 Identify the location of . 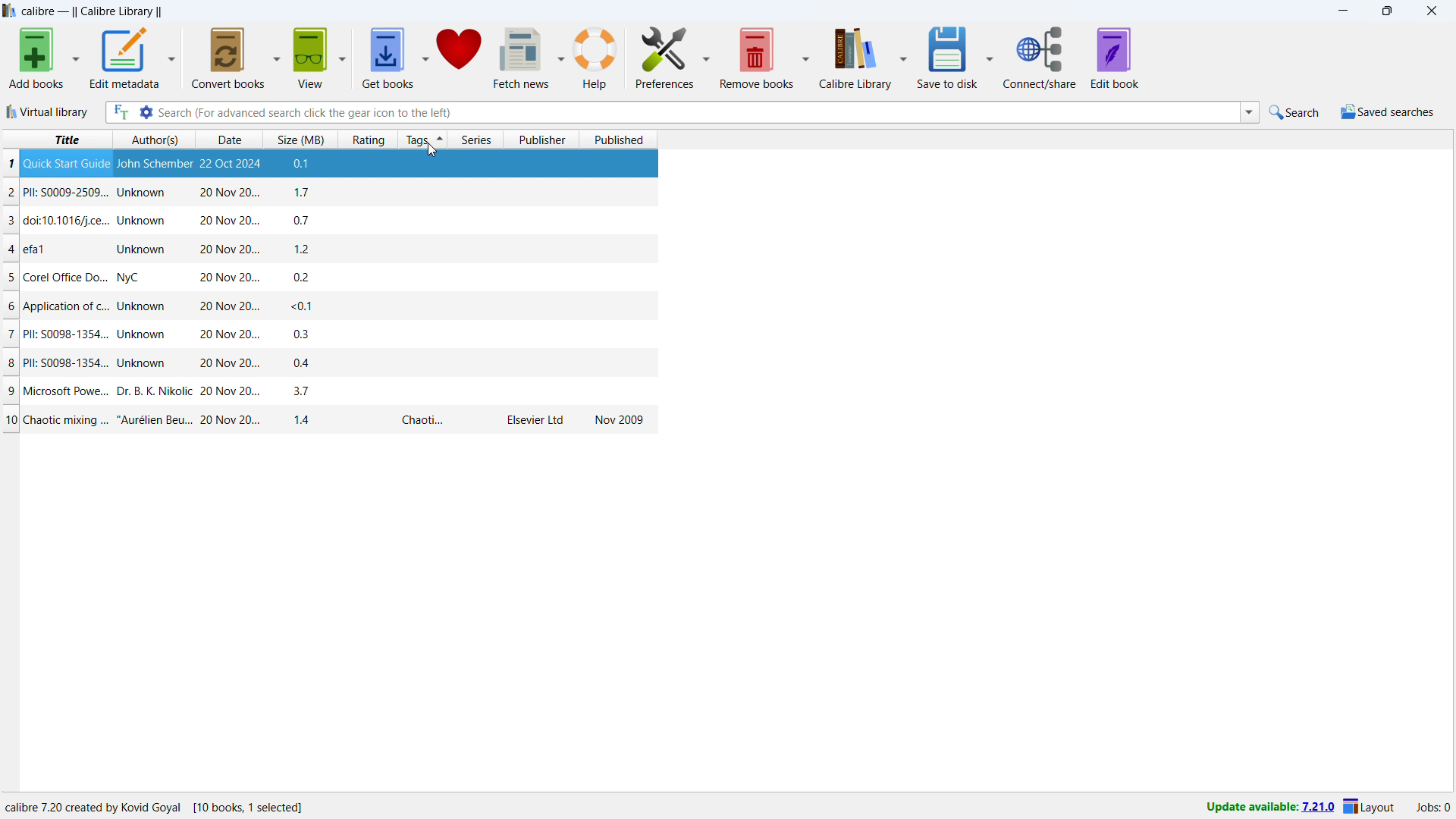
(461, 55).